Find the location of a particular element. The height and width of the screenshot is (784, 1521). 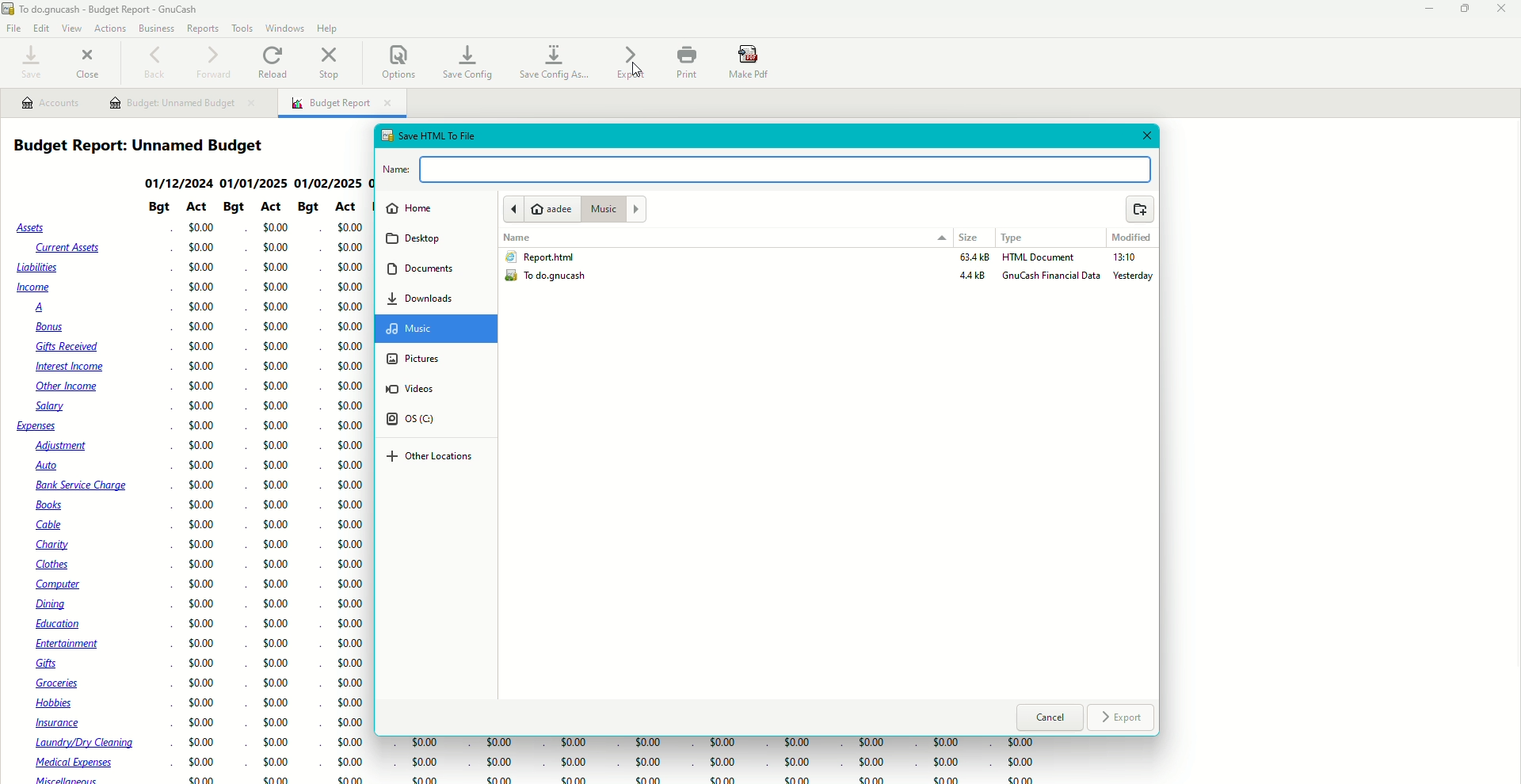

Gnucash is located at coordinates (1052, 278).